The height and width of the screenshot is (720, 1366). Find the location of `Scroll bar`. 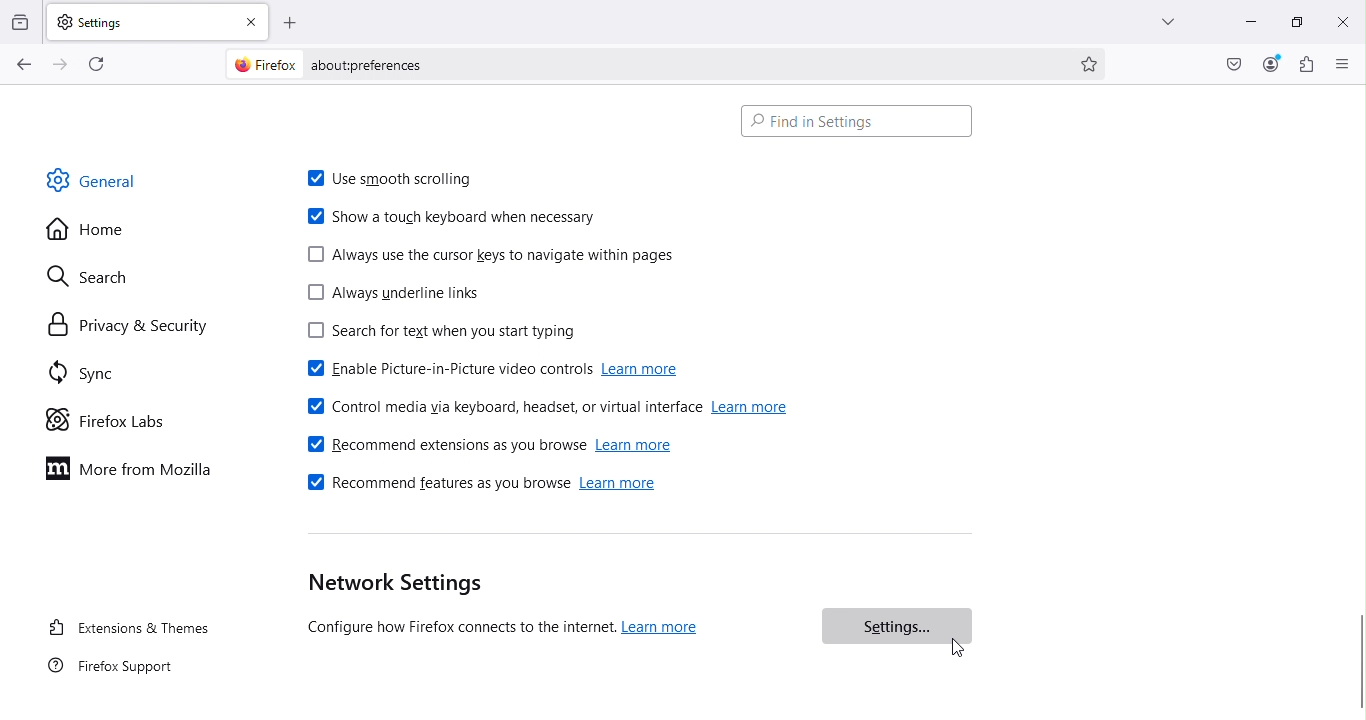

Scroll bar is located at coordinates (1358, 401).